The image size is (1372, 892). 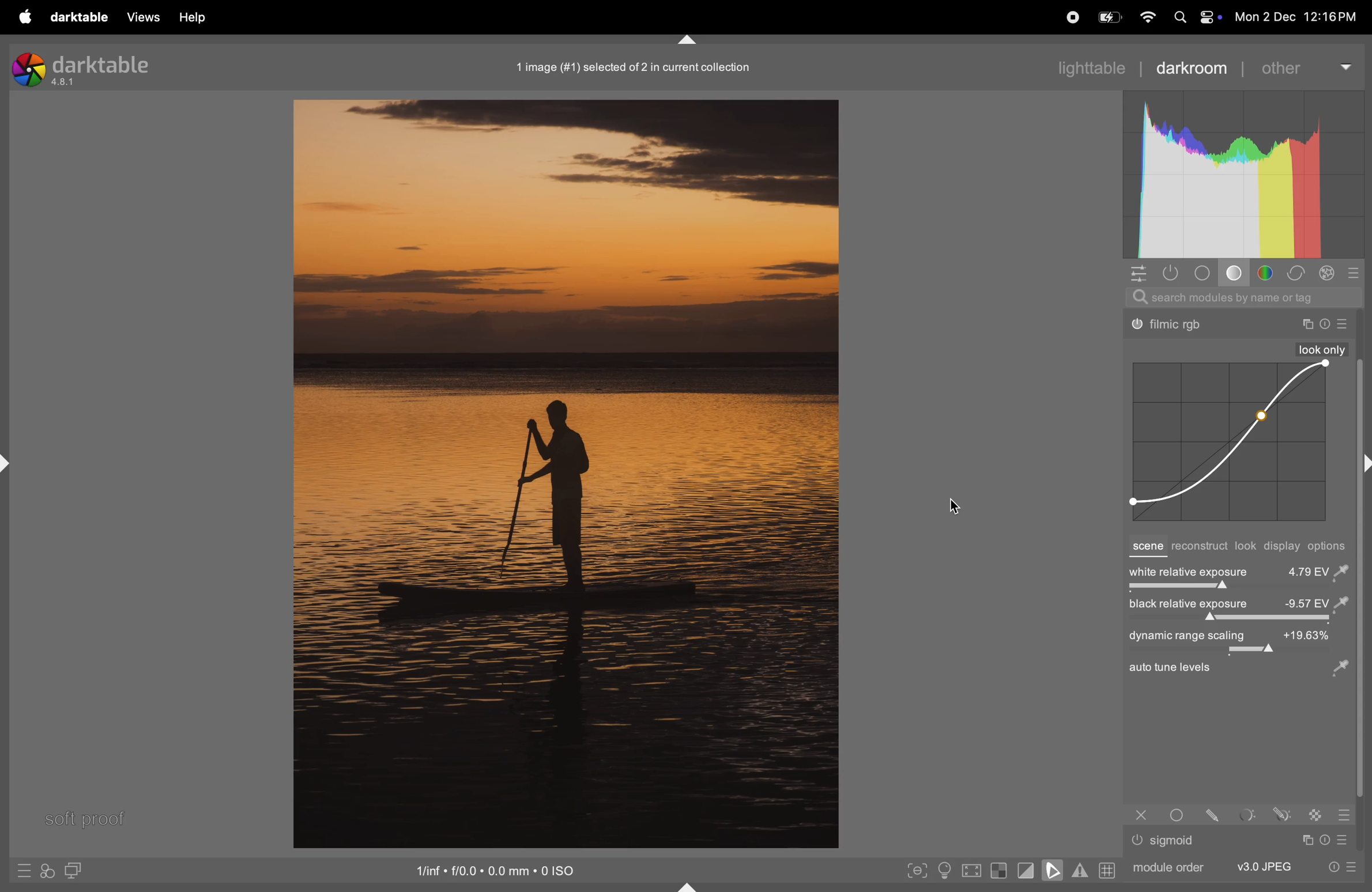 I want to click on tone , so click(x=1206, y=273).